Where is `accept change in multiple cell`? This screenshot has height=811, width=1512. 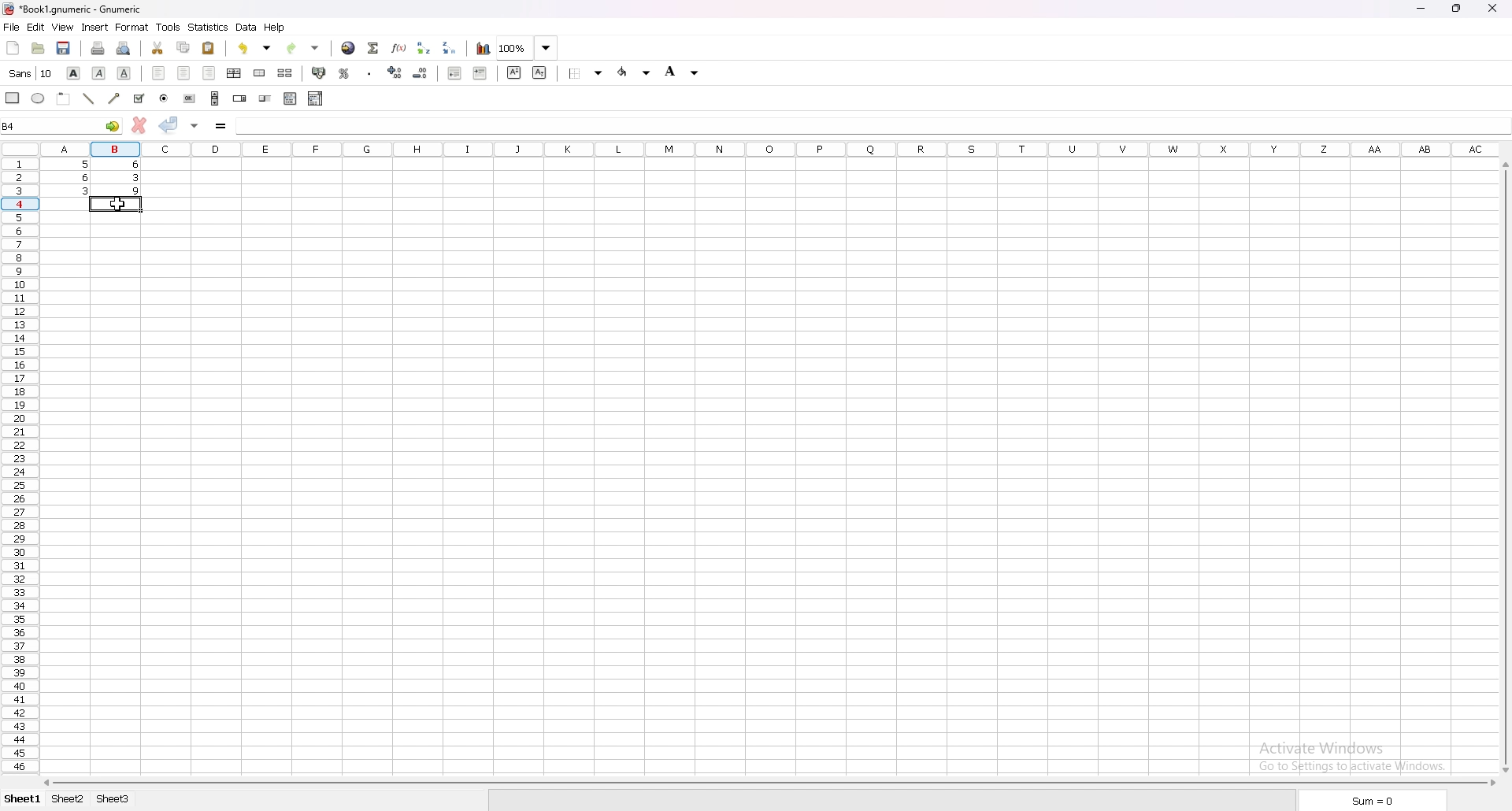
accept change in multiple cell is located at coordinates (195, 127).